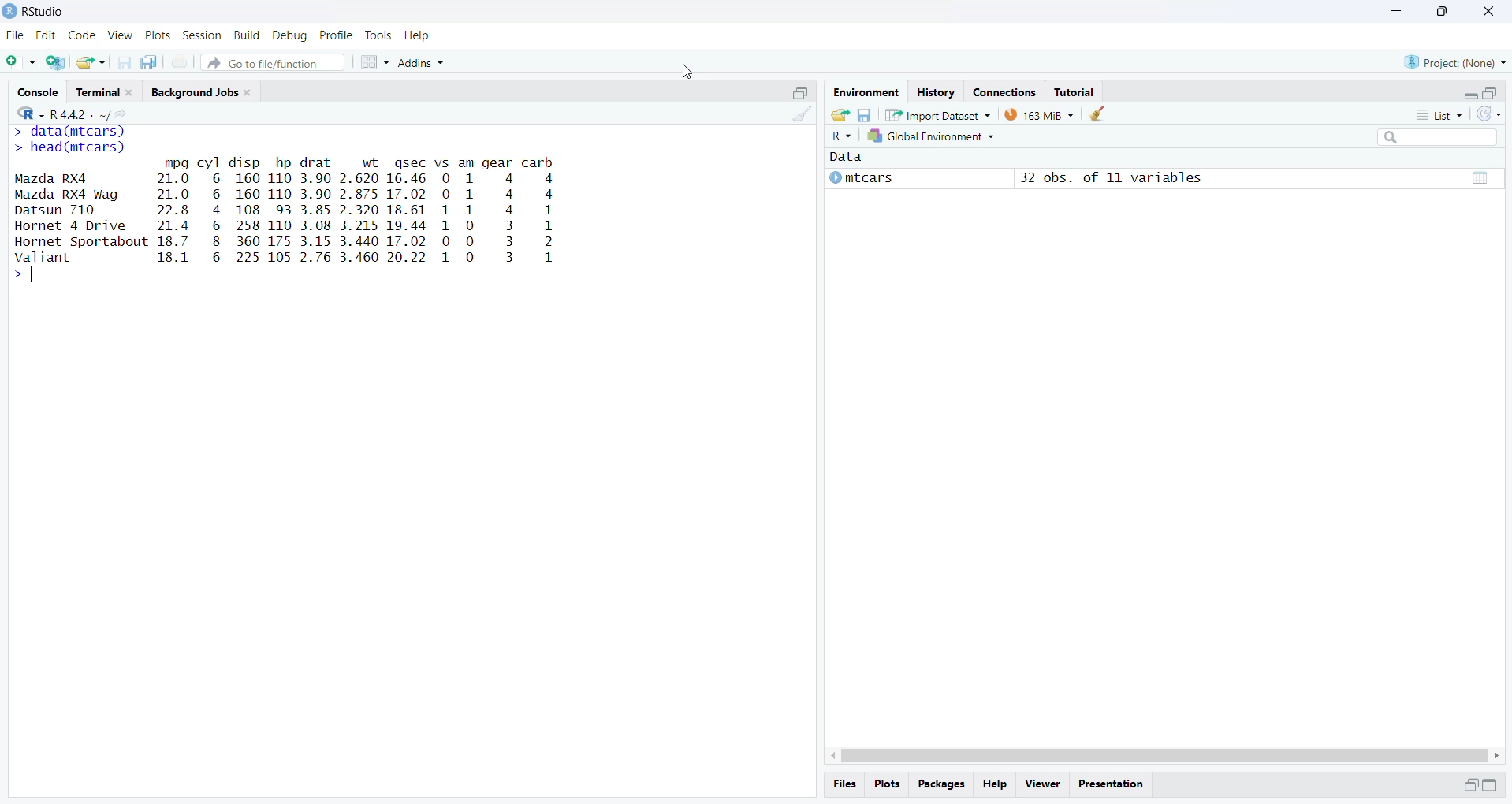 This screenshot has height=804, width=1512. Describe the element at coordinates (994, 784) in the screenshot. I see `help` at that location.